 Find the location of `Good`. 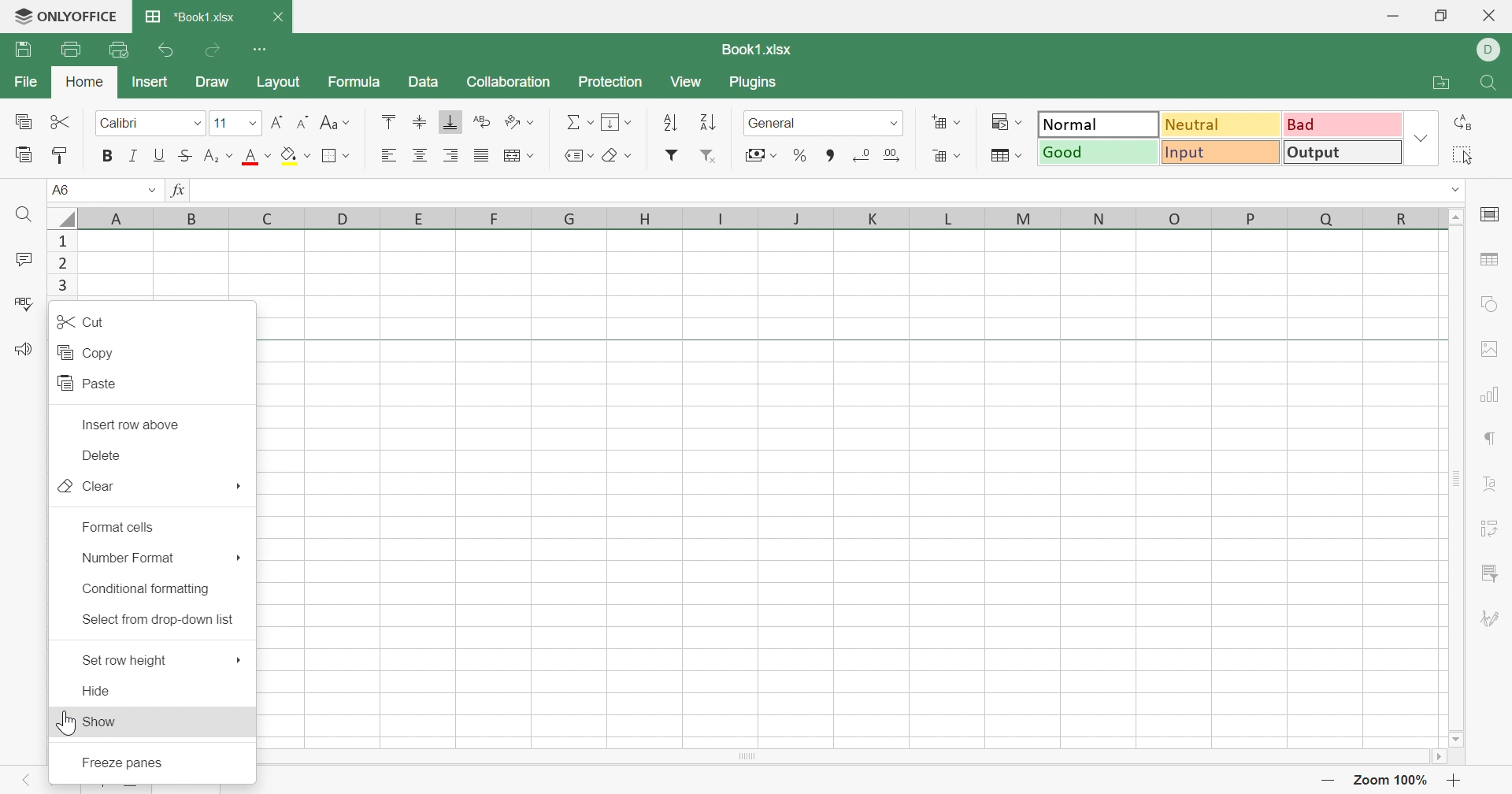

Good is located at coordinates (1099, 153).